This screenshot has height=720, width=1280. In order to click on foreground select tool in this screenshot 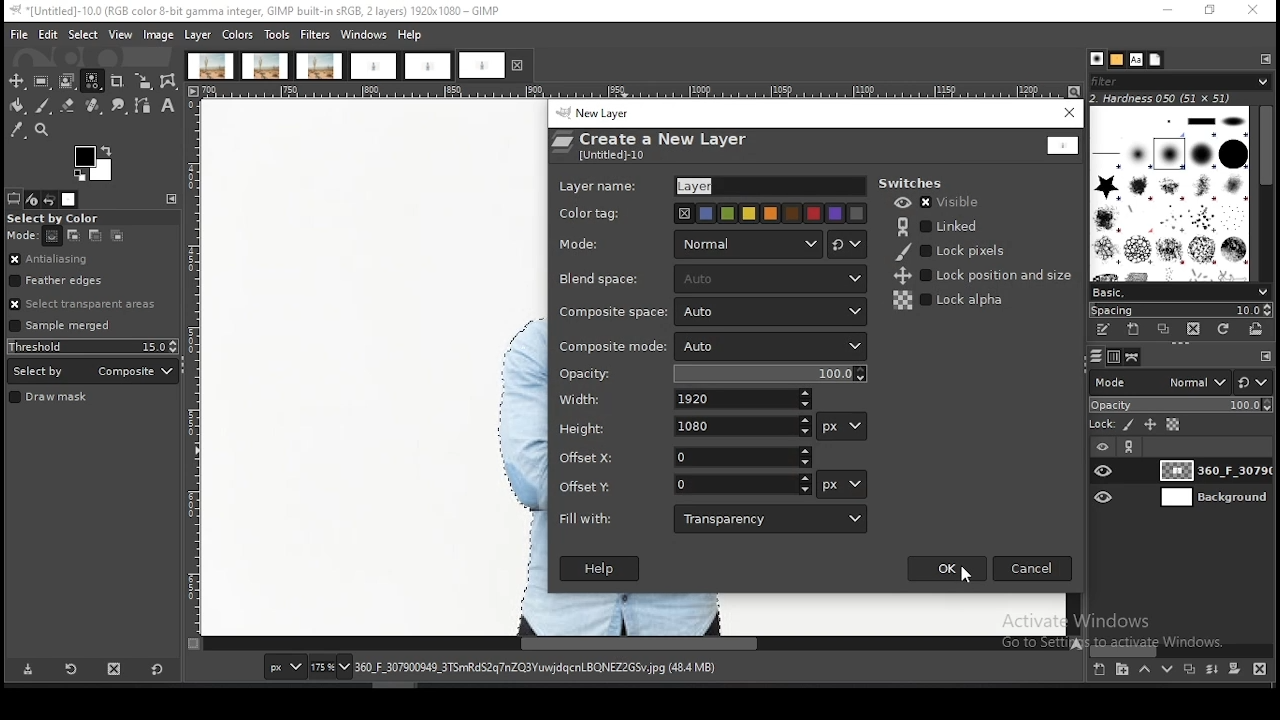, I will do `click(67, 81)`.